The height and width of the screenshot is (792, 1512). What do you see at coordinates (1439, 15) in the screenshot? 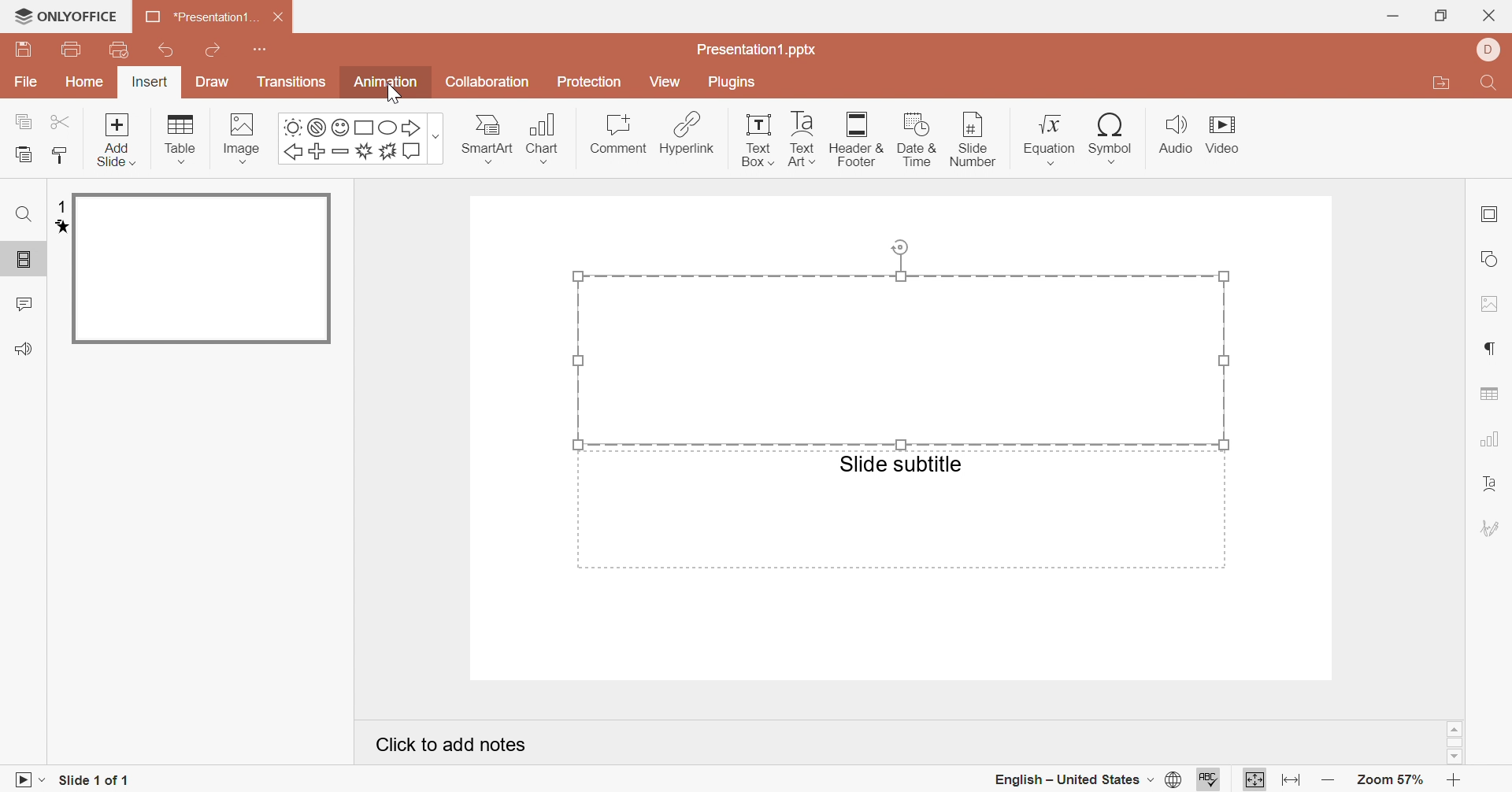
I see `restore down` at bounding box center [1439, 15].